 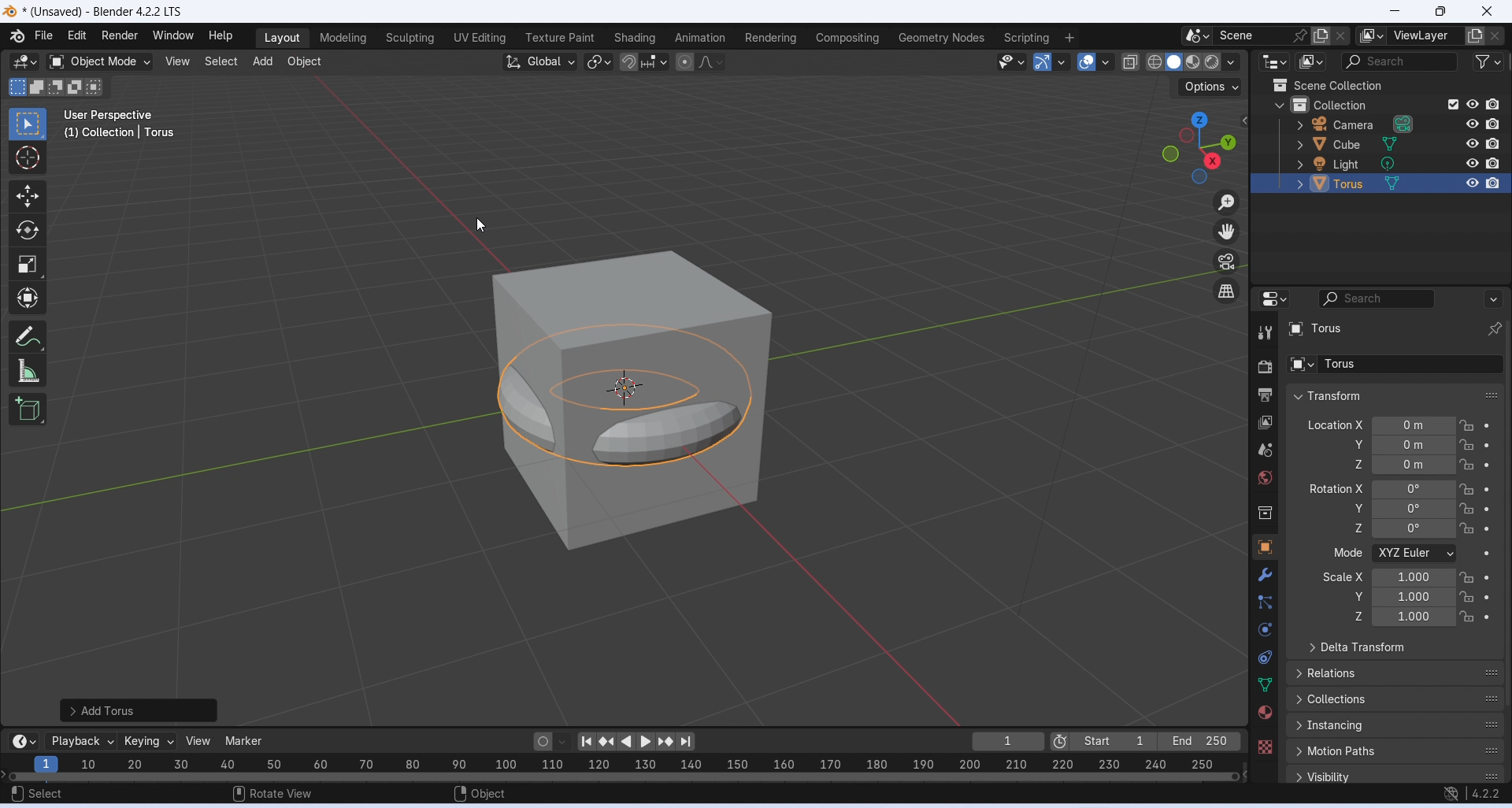 I want to click on logo, so click(x=10, y=13).